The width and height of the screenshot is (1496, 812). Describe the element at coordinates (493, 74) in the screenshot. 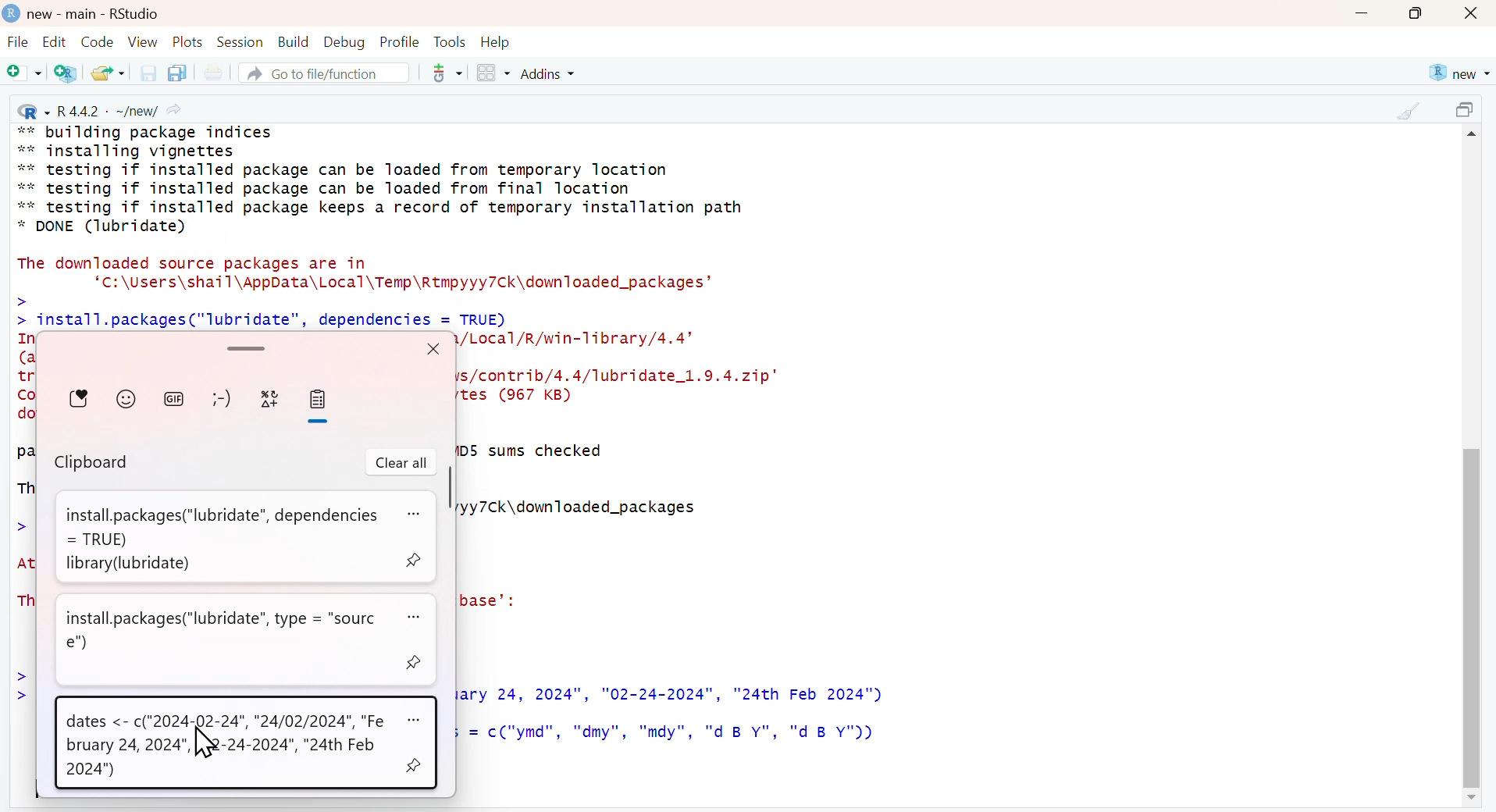

I see `Workspace panes` at that location.